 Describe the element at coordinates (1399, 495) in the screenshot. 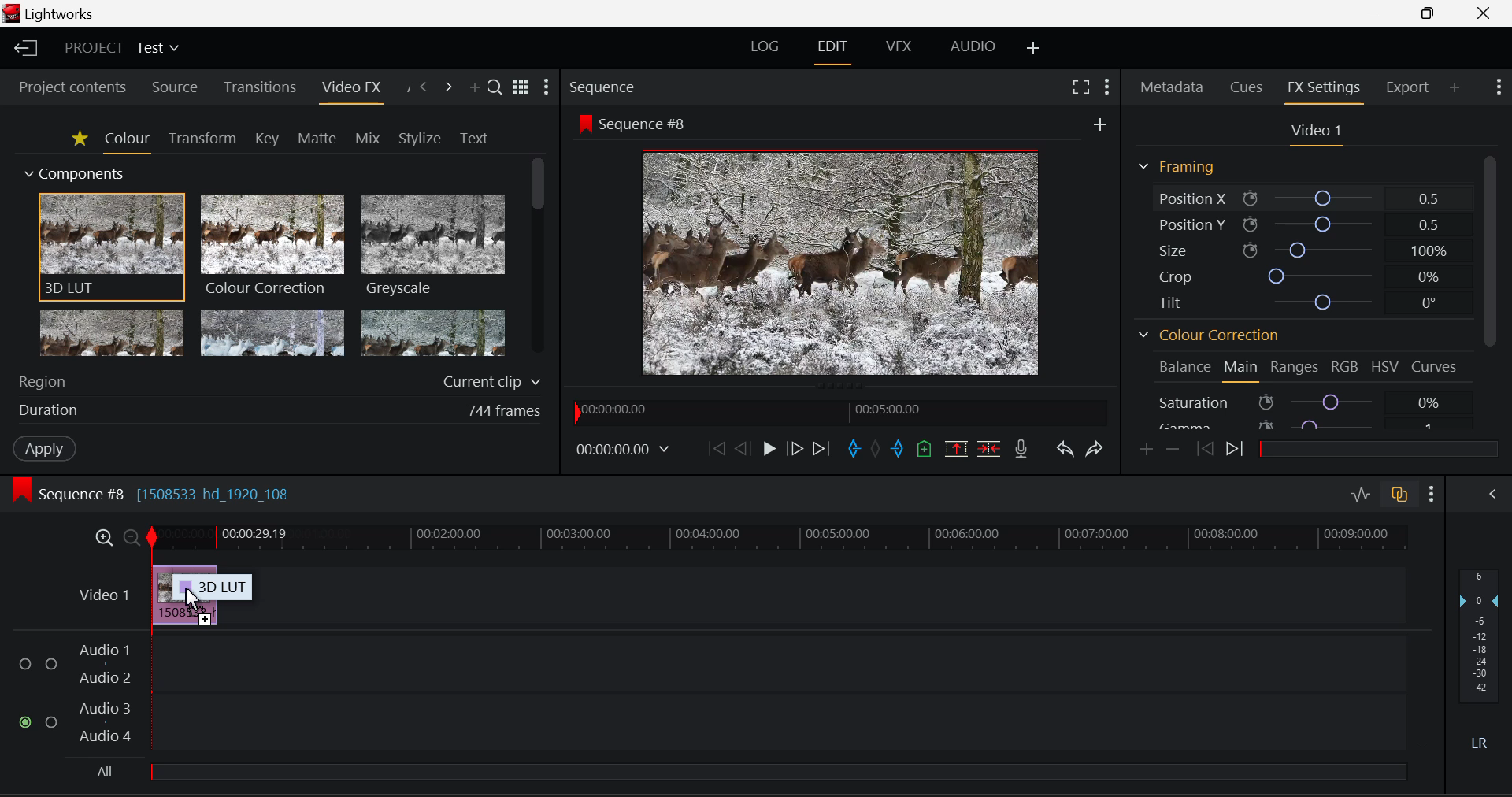

I see `Toggle auto track sync` at that location.